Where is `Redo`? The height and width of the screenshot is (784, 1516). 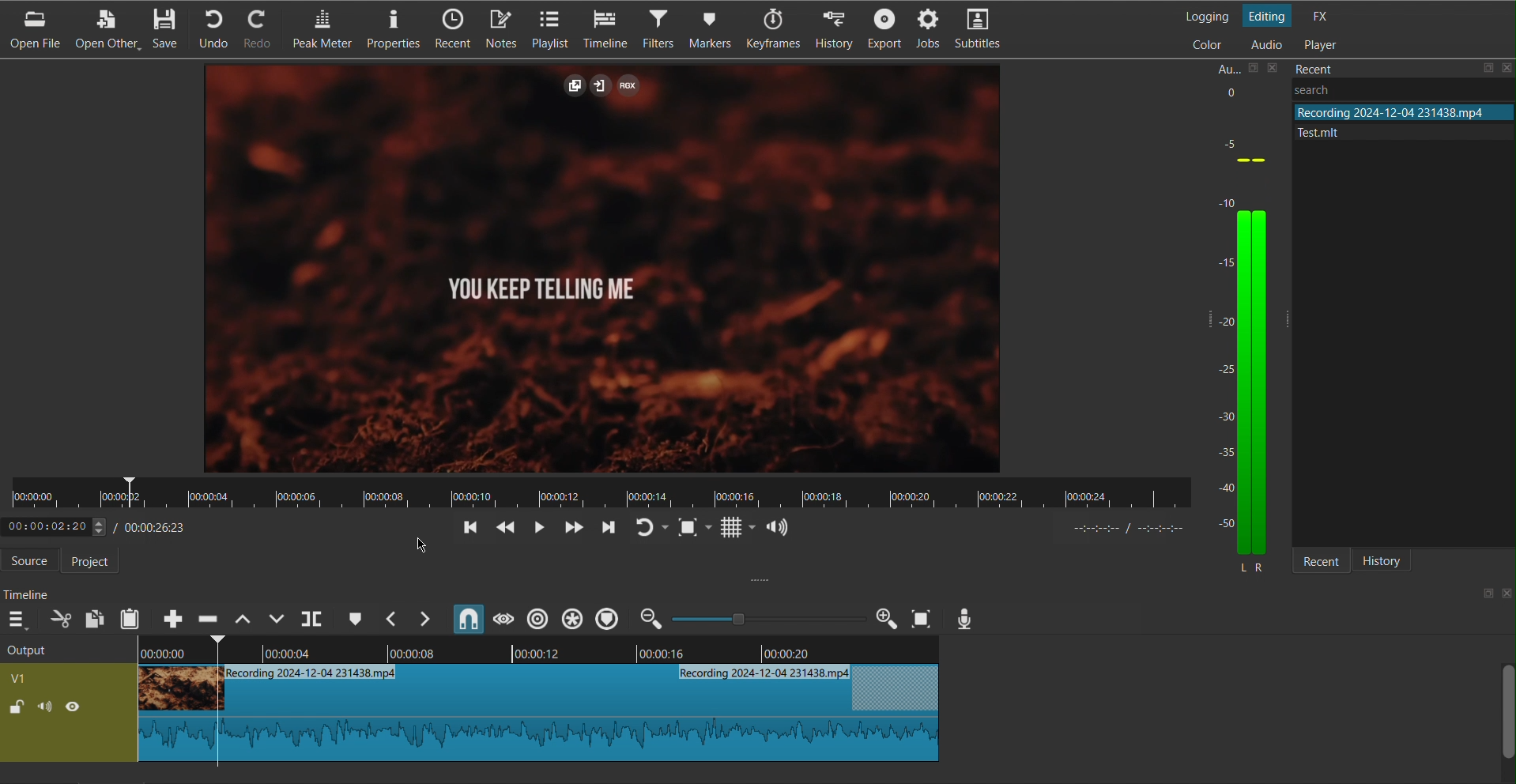
Redo is located at coordinates (648, 528).